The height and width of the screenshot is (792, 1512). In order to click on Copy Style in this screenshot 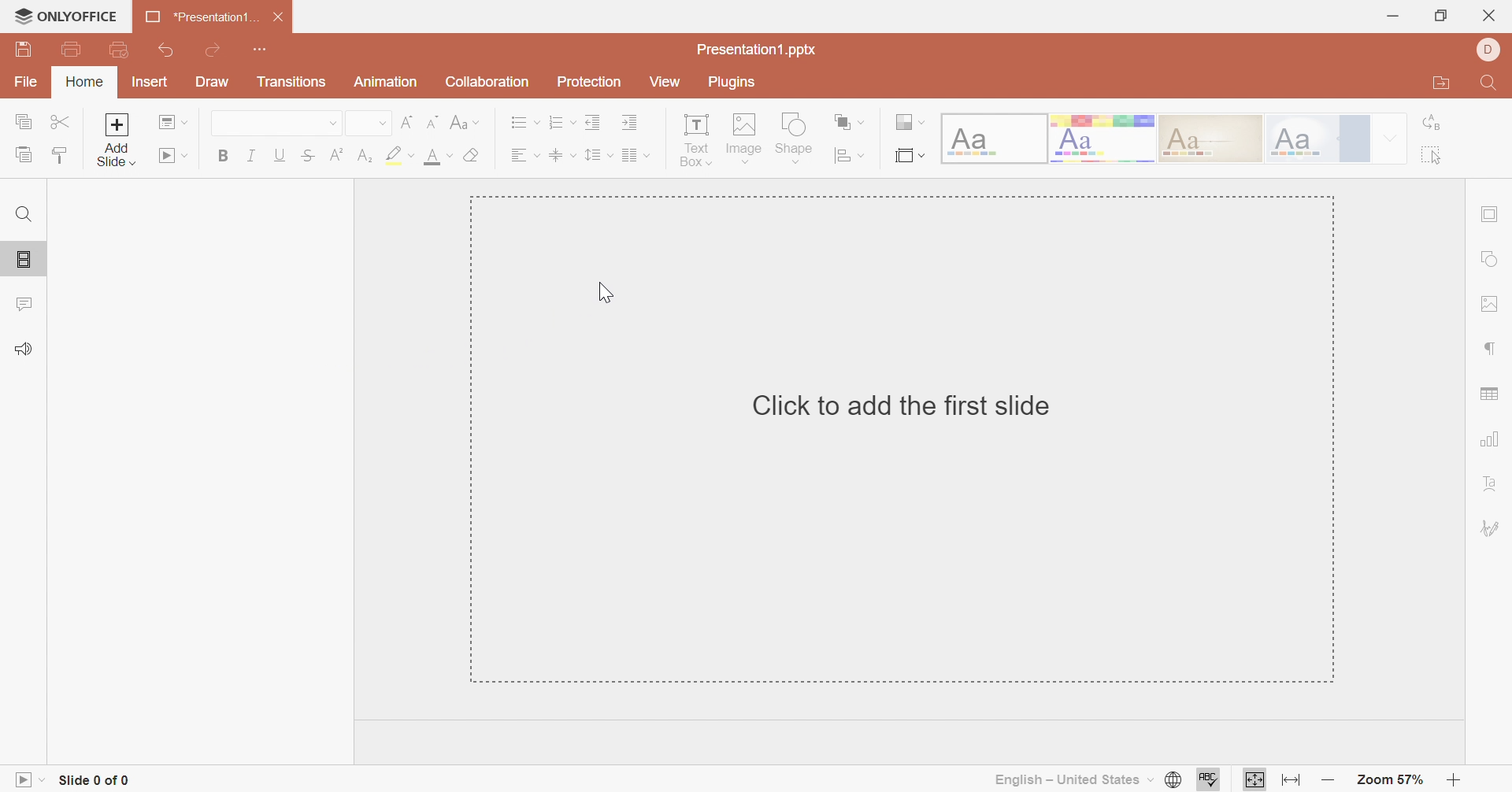, I will do `click(61, 154)`.